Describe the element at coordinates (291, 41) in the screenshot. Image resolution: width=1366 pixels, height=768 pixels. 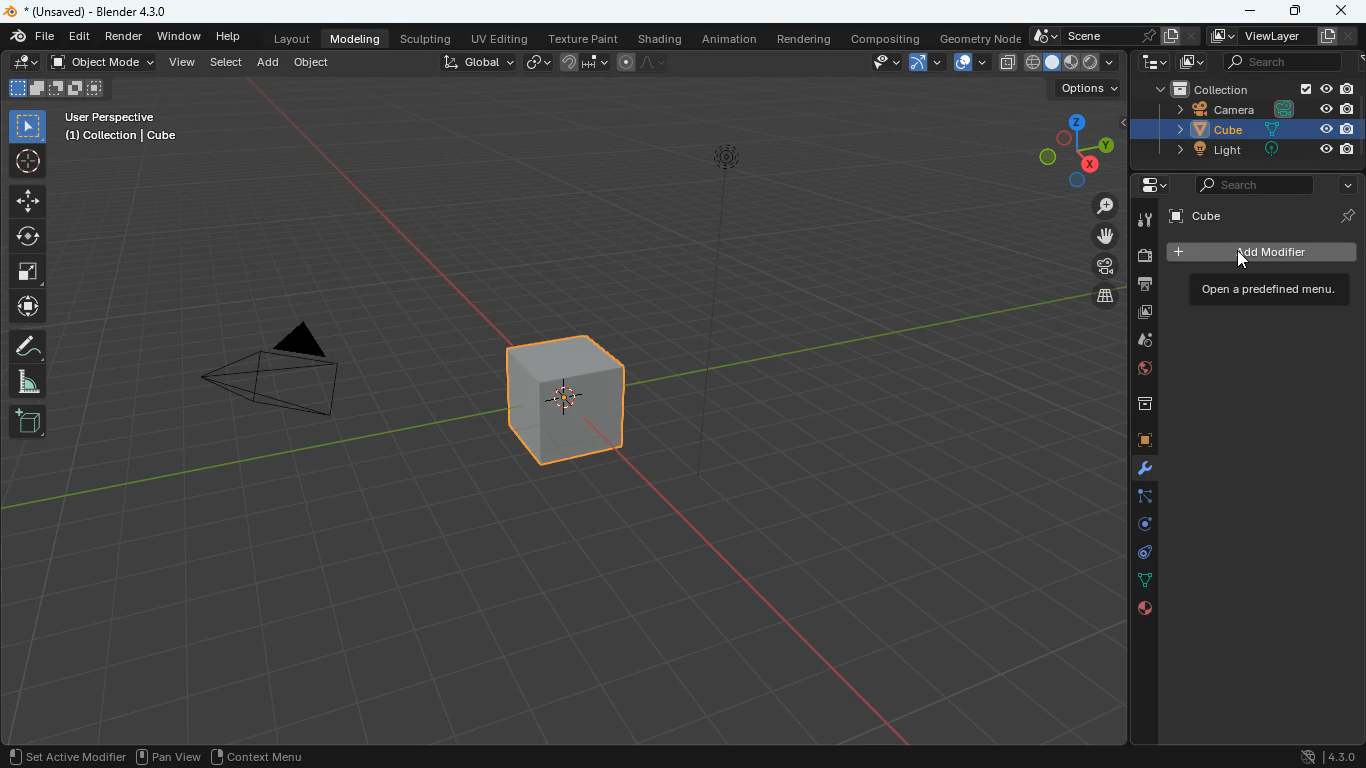
I see `layout` at that location.